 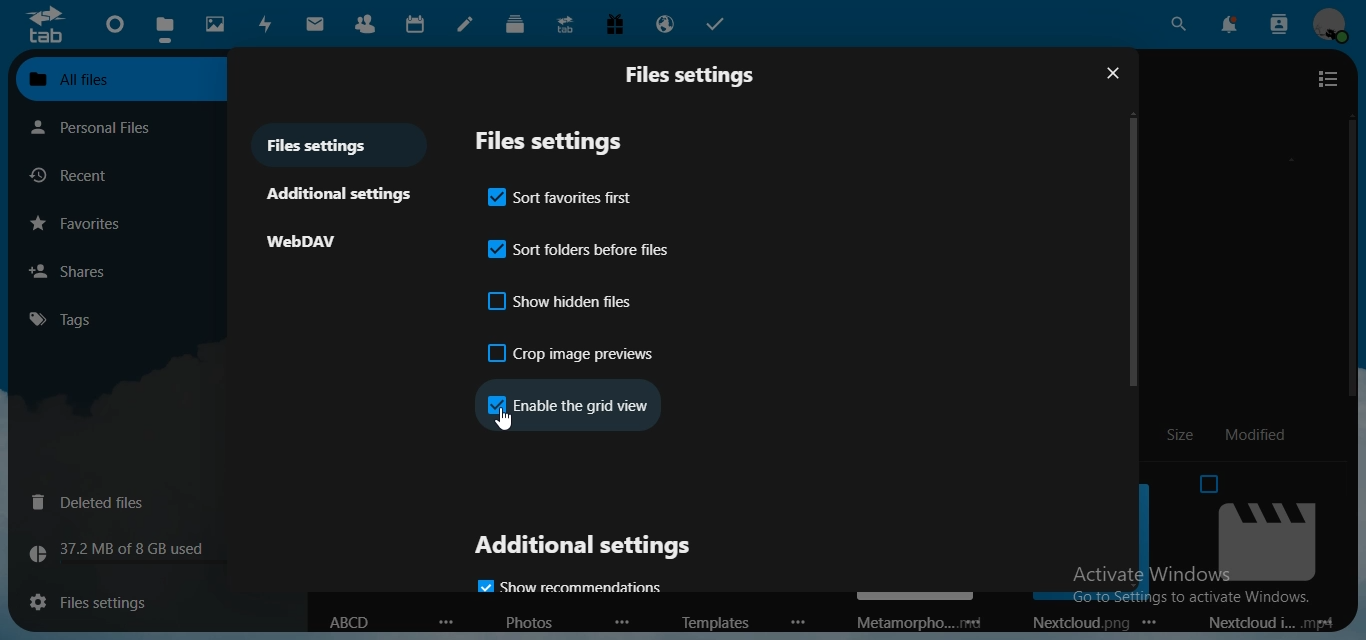 What do you see at coordinates (581, 246) in the screenshot?
I see `sort folders before files` at bounding box center [581, 246].